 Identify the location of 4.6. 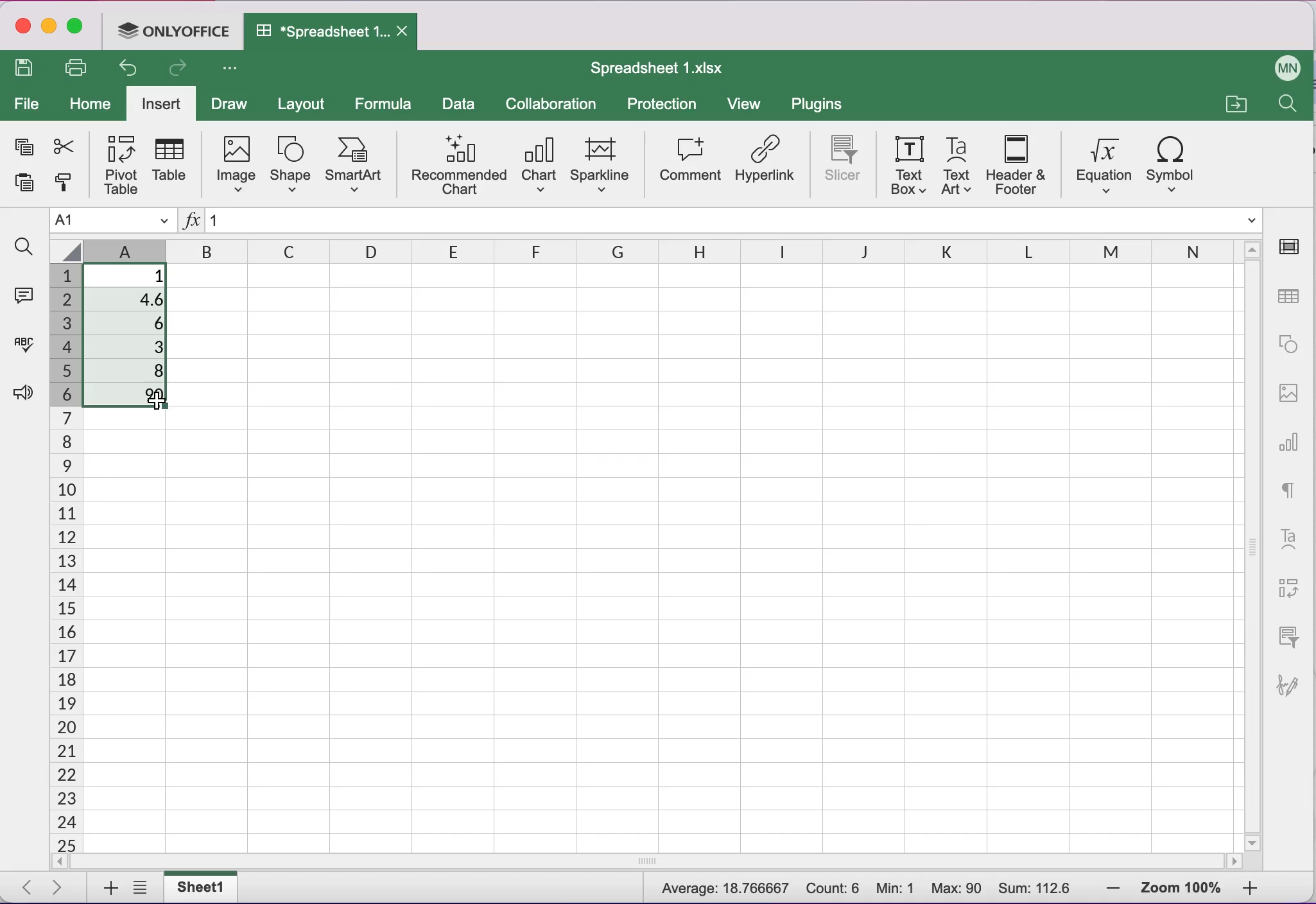
(134, 302).